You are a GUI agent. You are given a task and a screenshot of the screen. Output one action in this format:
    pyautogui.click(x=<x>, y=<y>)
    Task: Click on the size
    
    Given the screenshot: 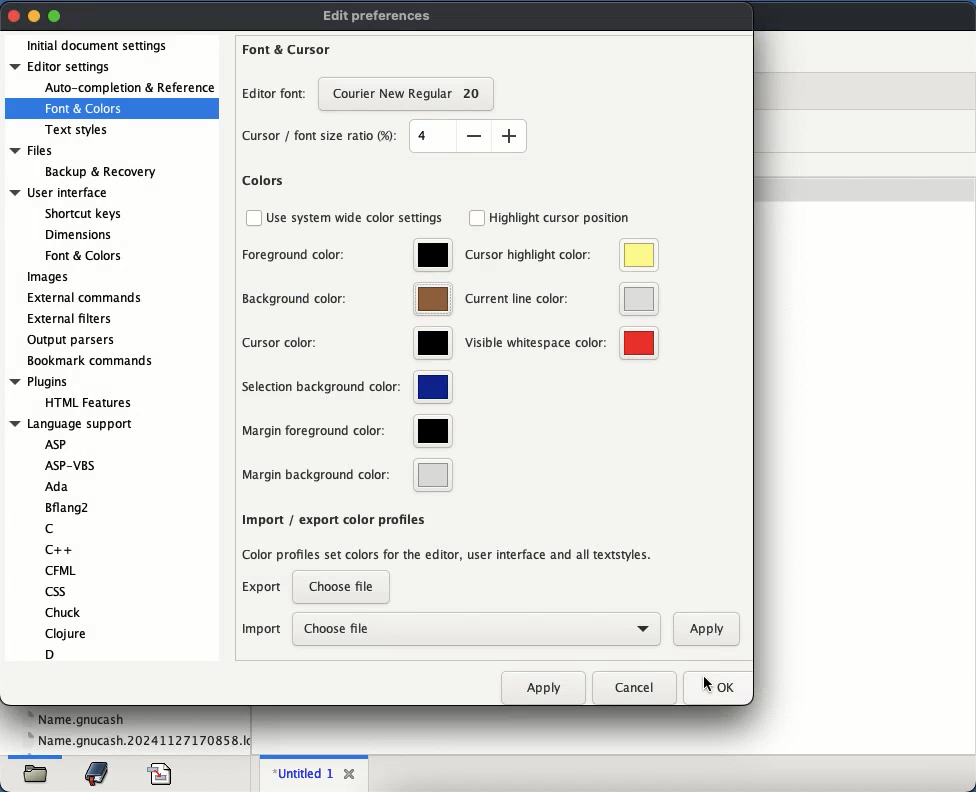 What is the action you would take?
    pyautogui.click(x=469, y=135)
    